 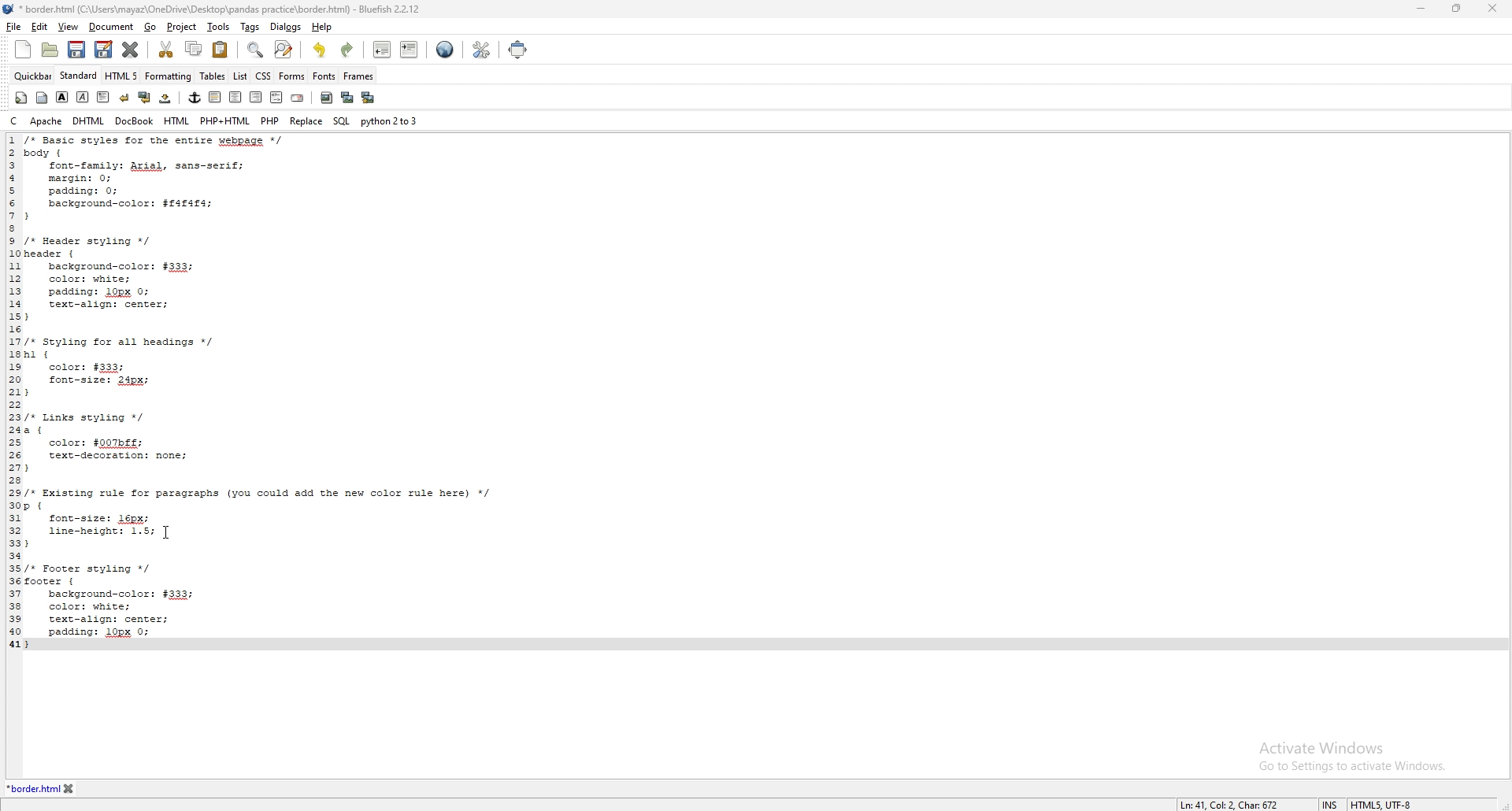 I want to click on undo, so click(x=321, y=50).